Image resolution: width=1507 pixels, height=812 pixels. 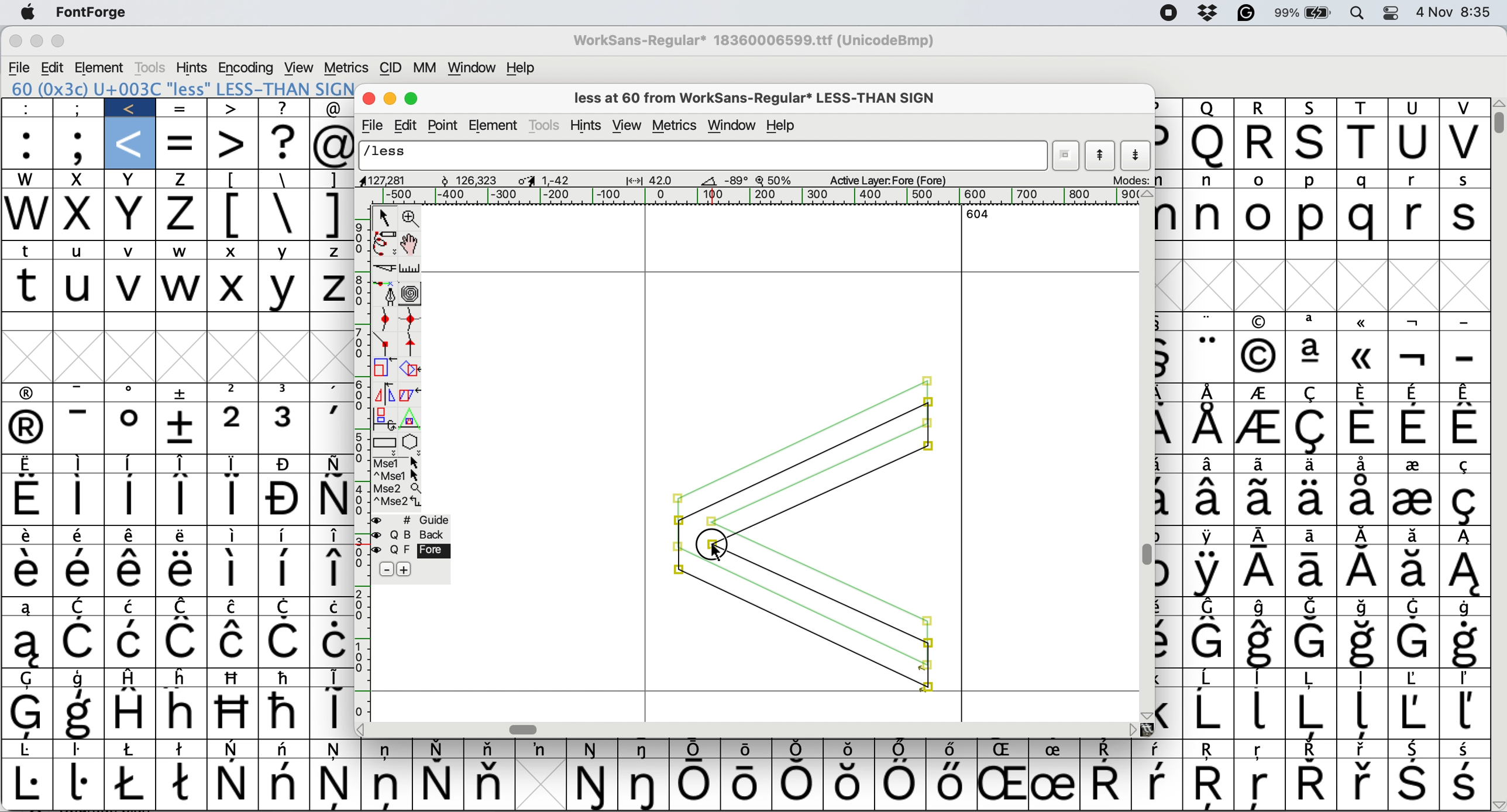 What do you see at coordinates (1360, 358) in the screenshot?
I see `Symbol` at bounding box center [1360, 358].